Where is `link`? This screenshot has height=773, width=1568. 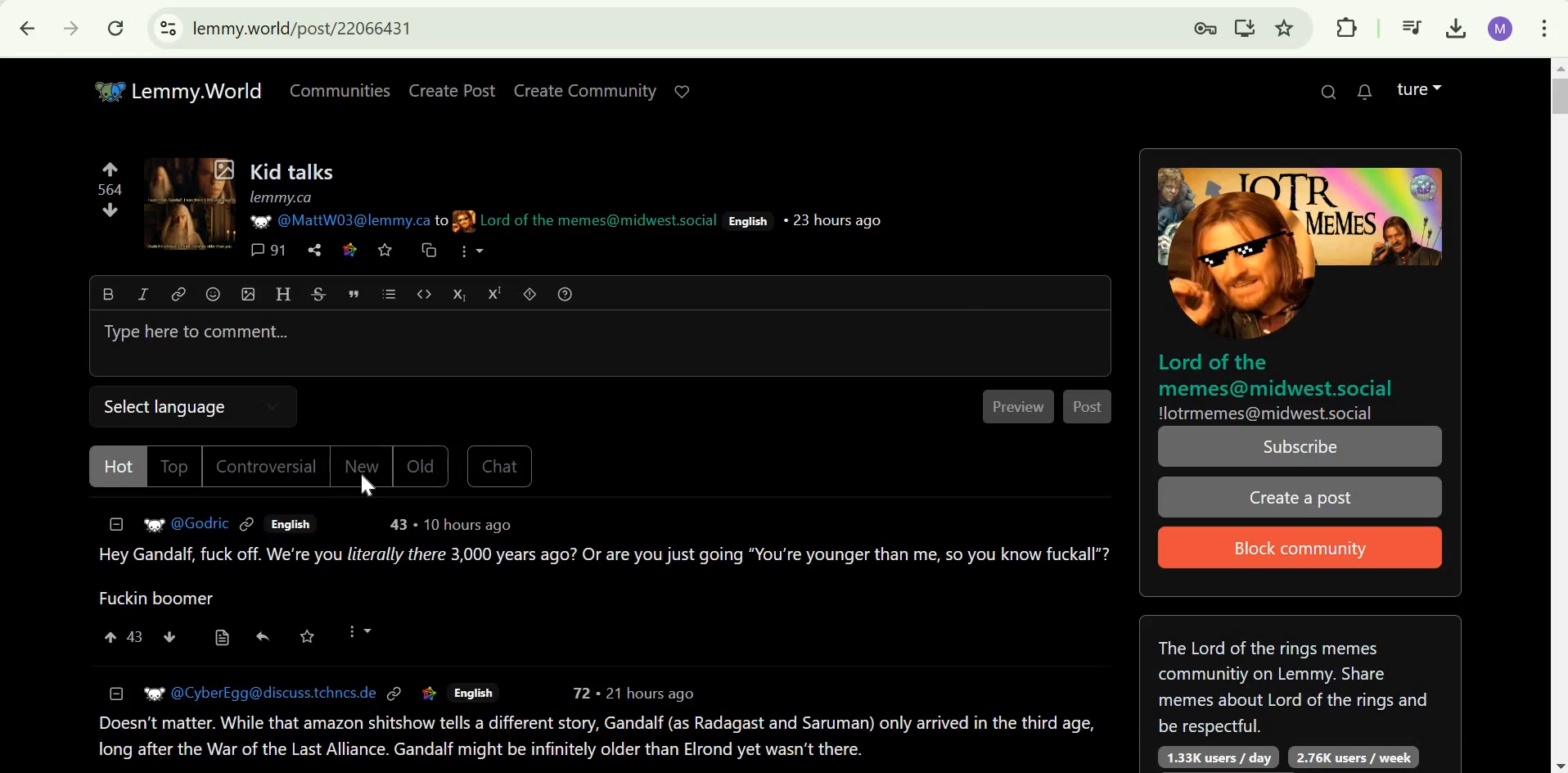
link is located at coordinates (248, 522).